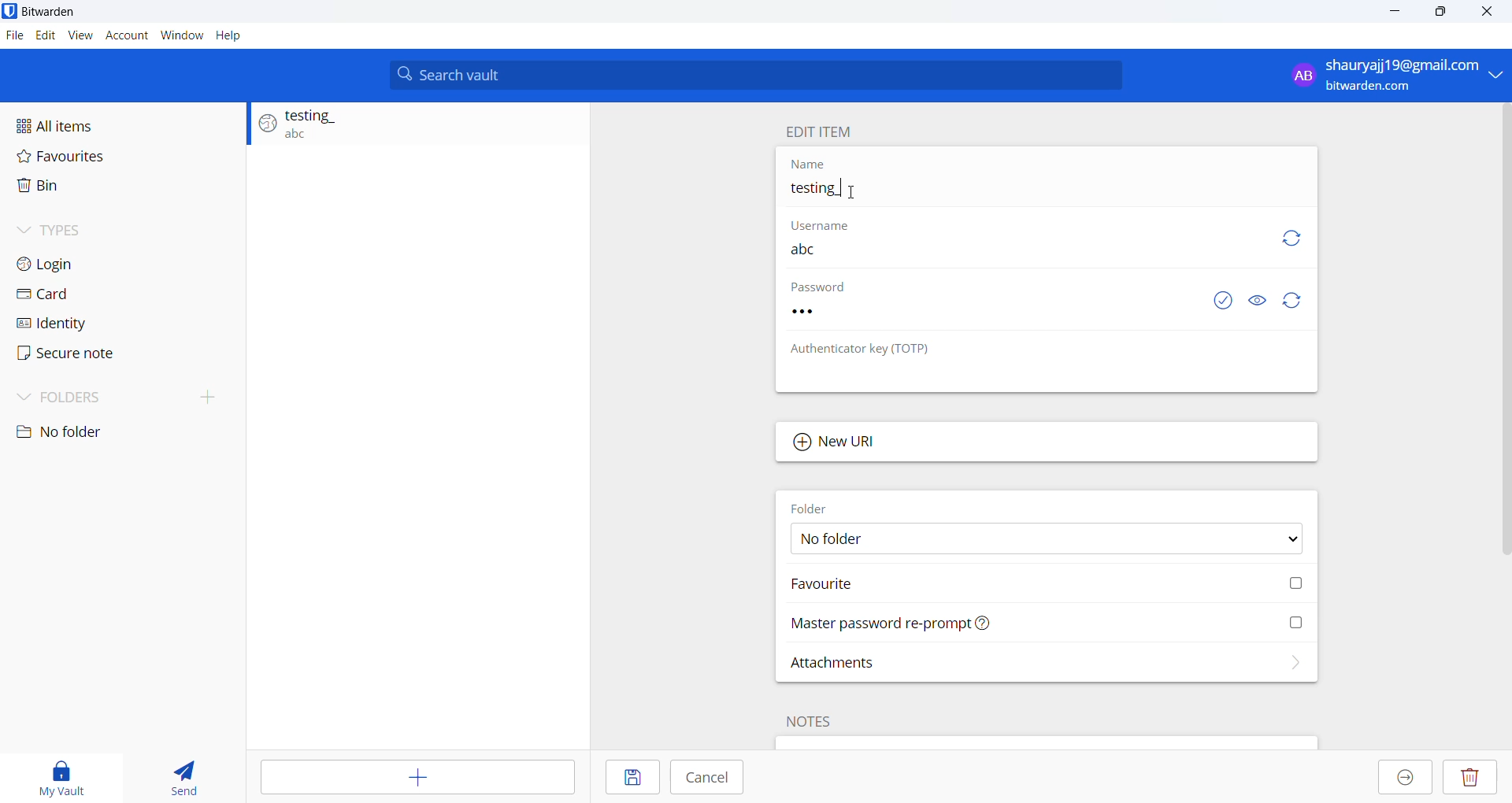 This screenshot has height=803, width=1512. What do you see at coordinates (415, 778) in the screenshot?
I see `Add item` at bounding box center [415, 778].